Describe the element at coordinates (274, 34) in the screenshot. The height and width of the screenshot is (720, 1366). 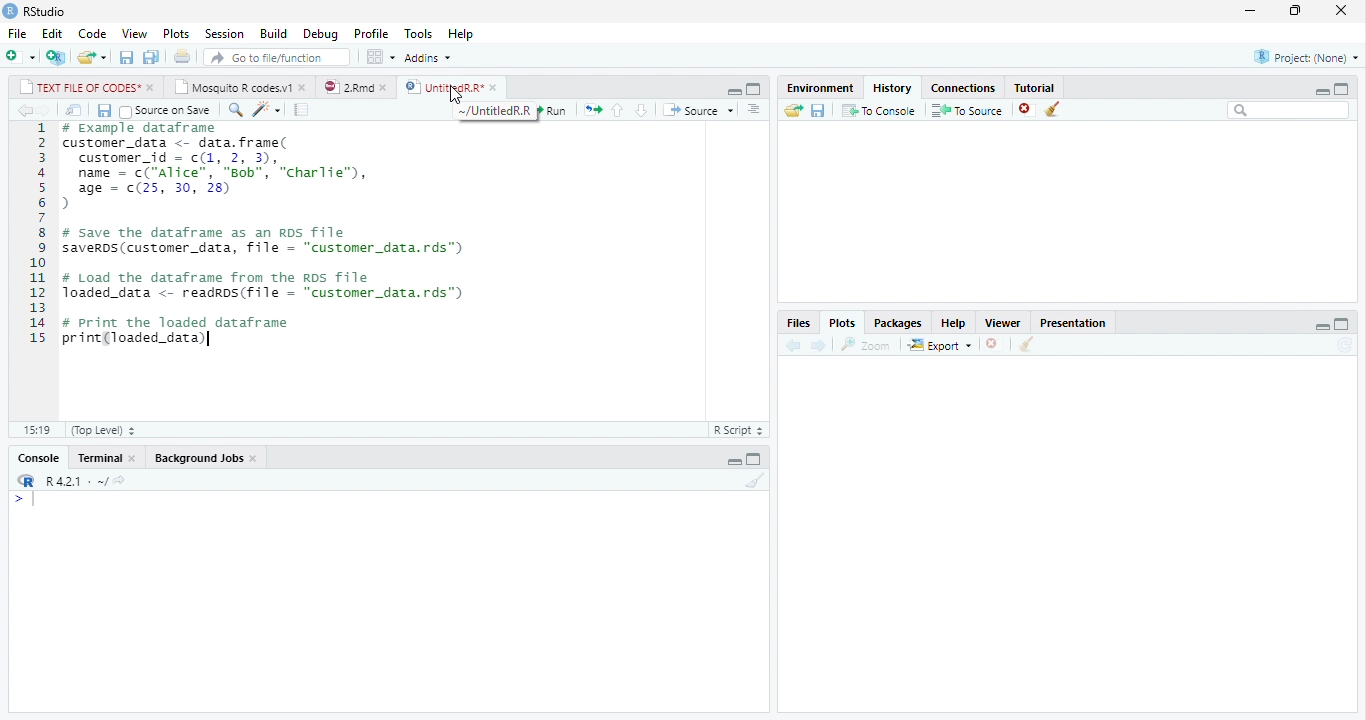
I see `Build` at that location.